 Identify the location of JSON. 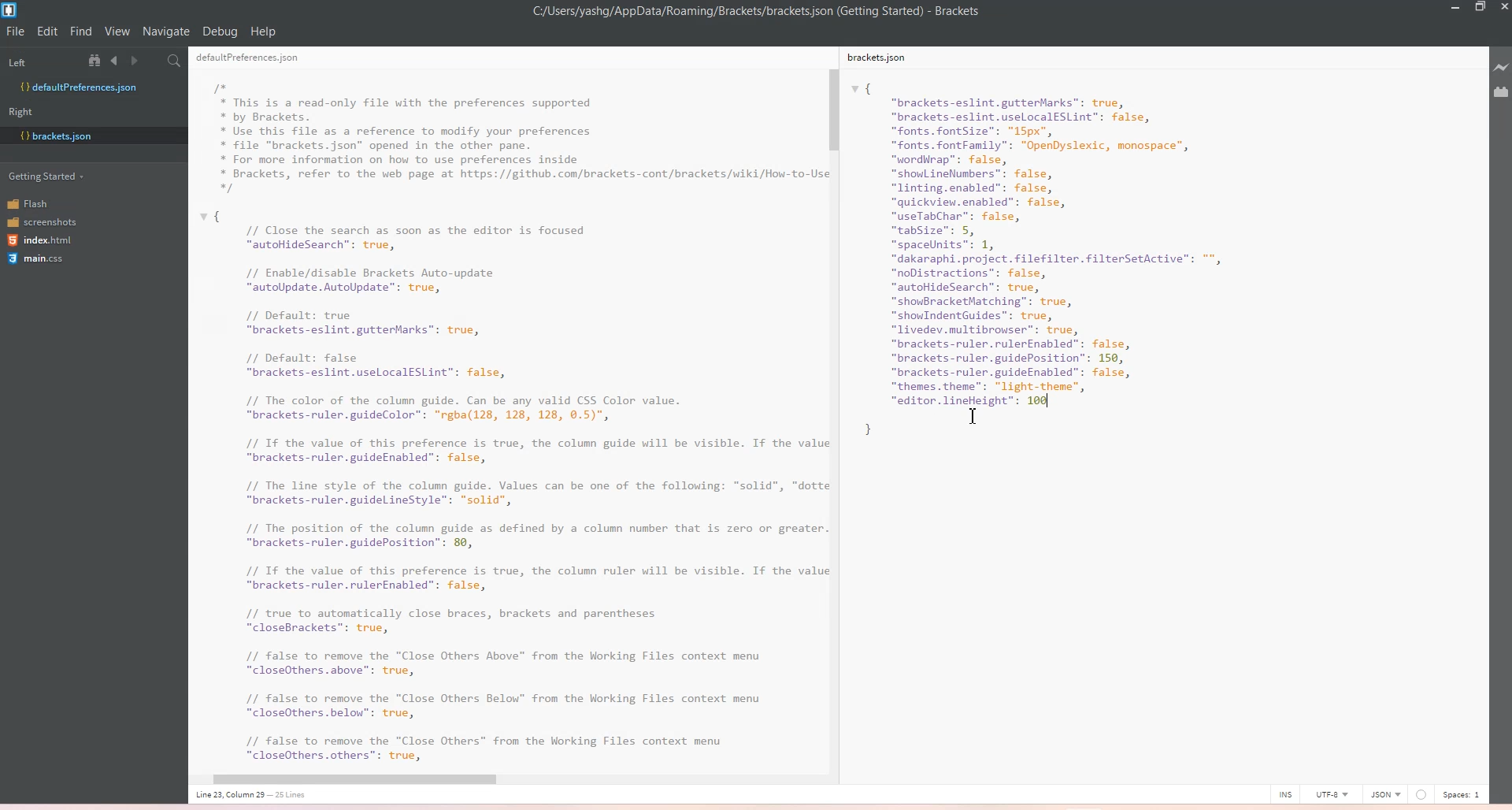
(1385, 793).